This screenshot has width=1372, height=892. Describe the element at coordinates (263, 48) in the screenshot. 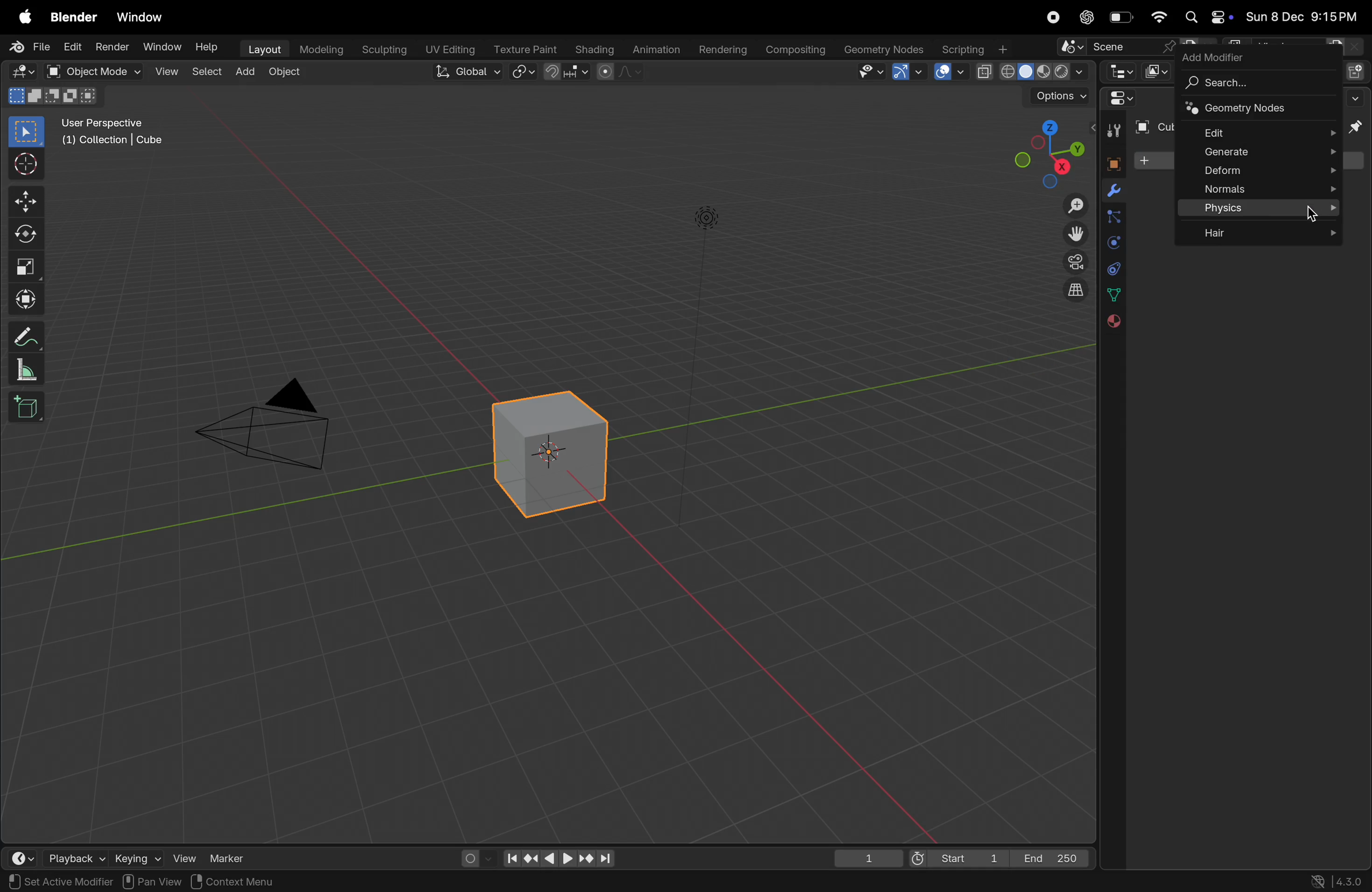

I see `layout` at that location.